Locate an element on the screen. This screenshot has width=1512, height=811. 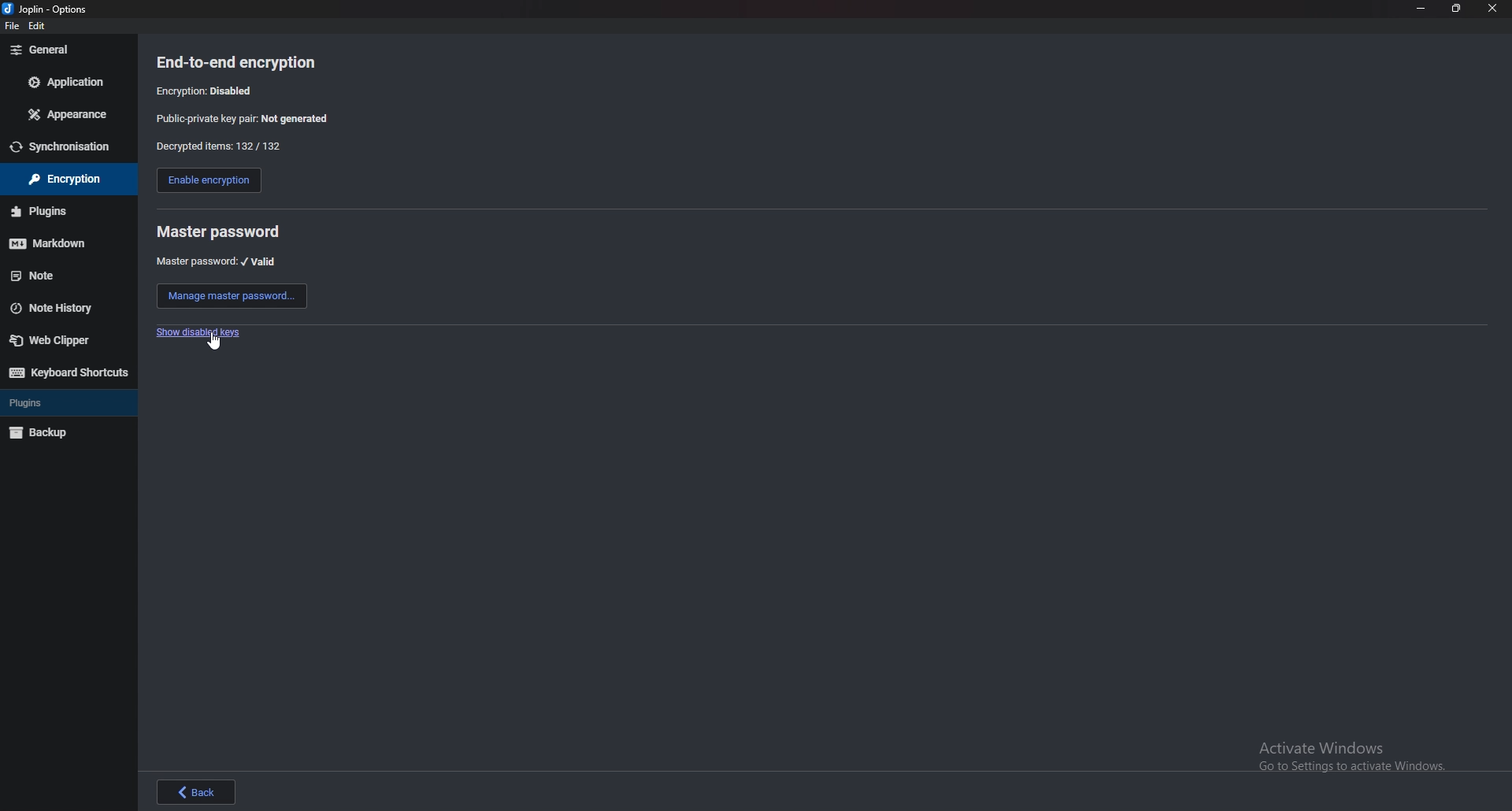
show disabled key is located at coordinates (195, 334).